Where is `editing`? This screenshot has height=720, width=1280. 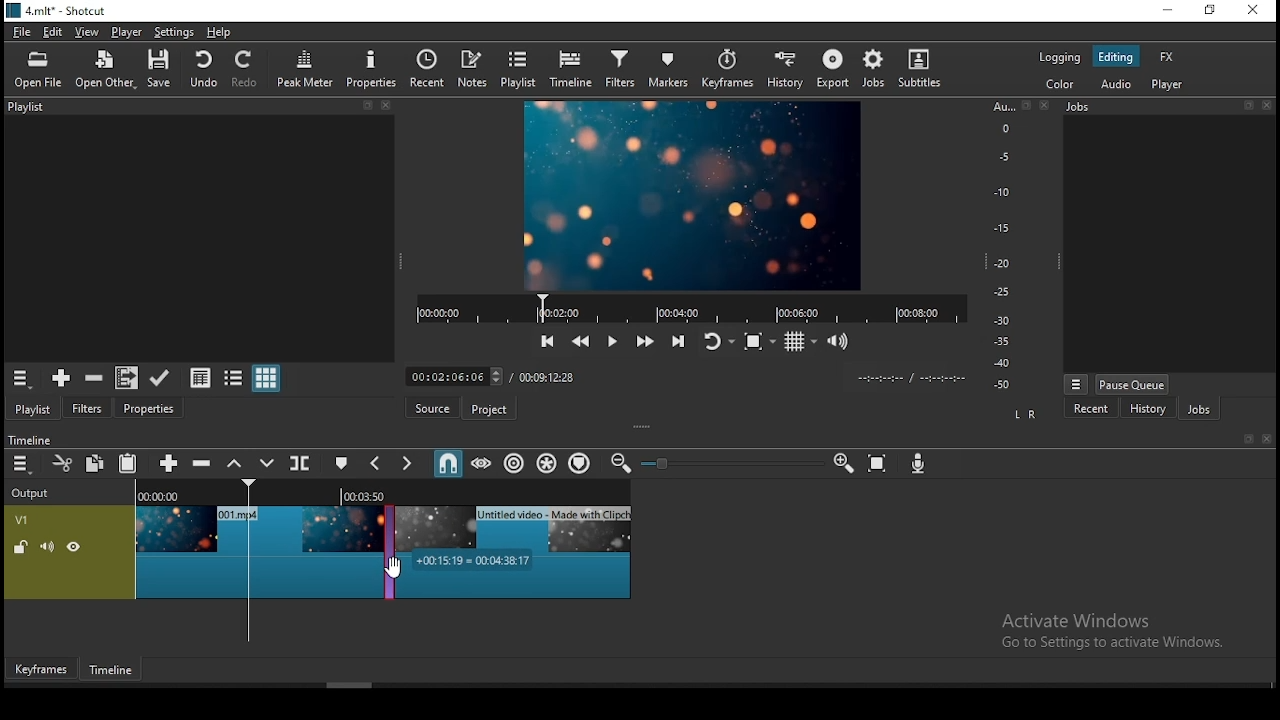 editing is located at coordinates (1115, 56).